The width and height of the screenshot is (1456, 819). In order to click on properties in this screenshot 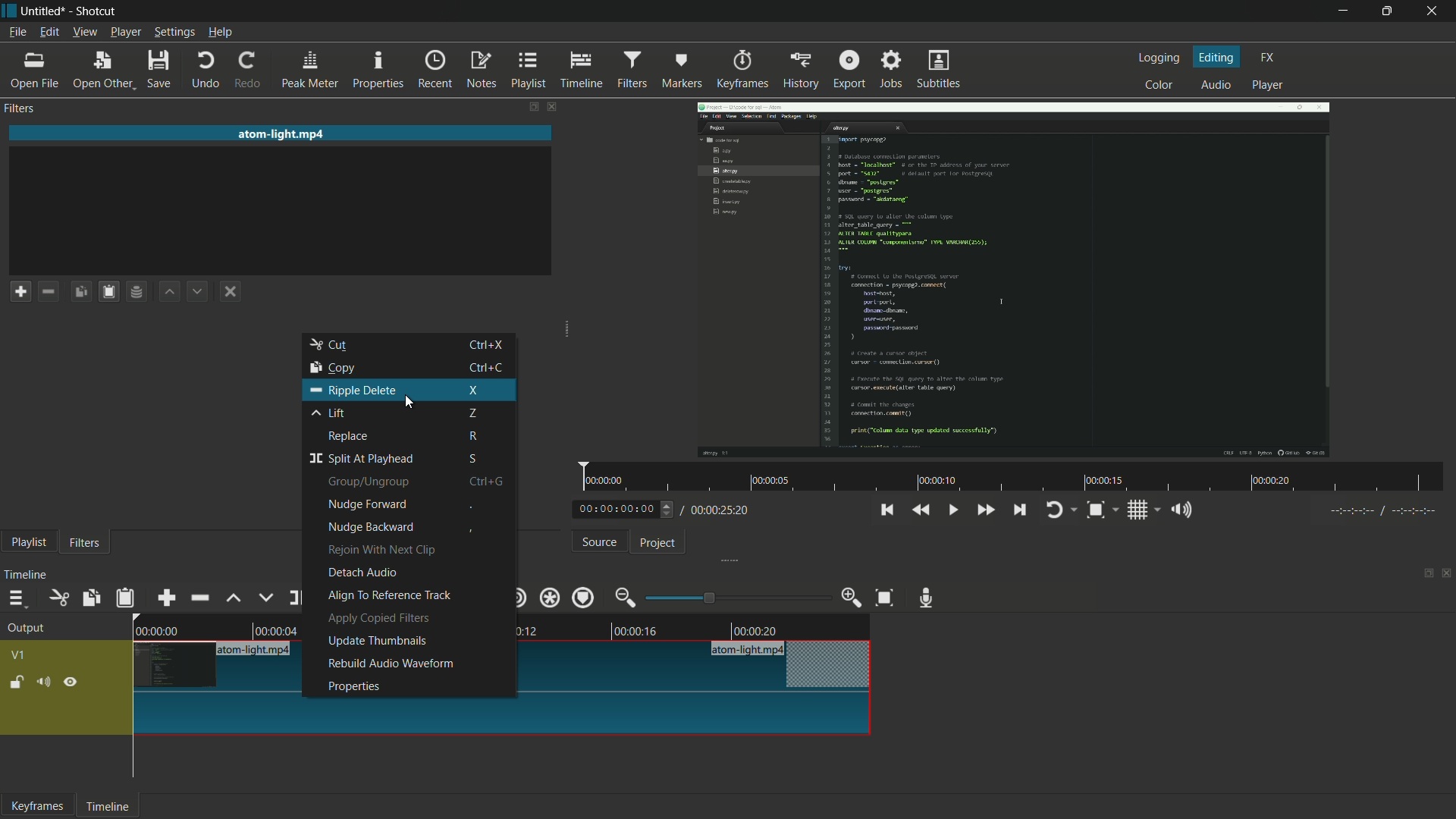, I will do `click(377, 69)`.